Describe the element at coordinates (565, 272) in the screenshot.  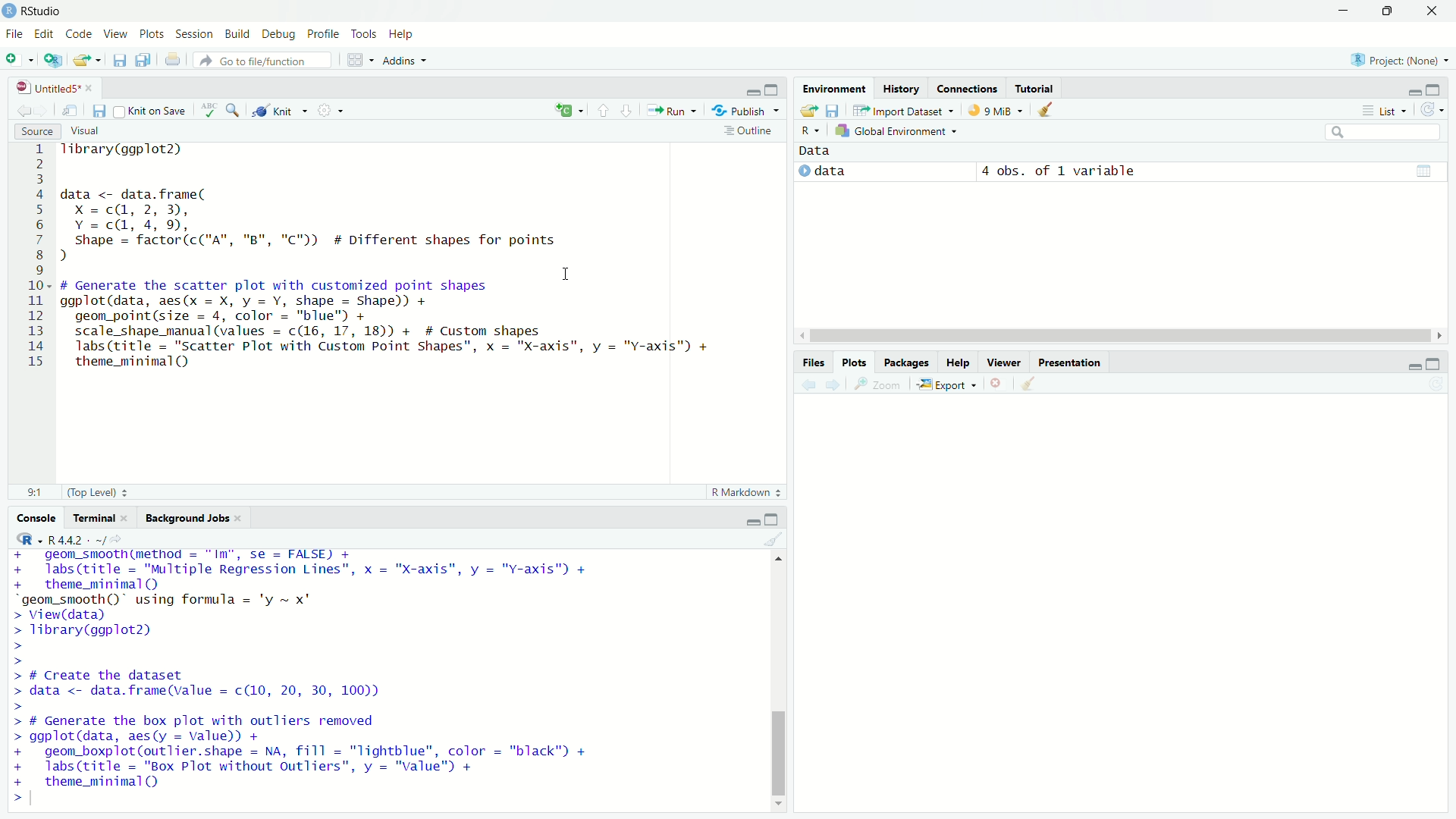
I see `cursor` at that location.